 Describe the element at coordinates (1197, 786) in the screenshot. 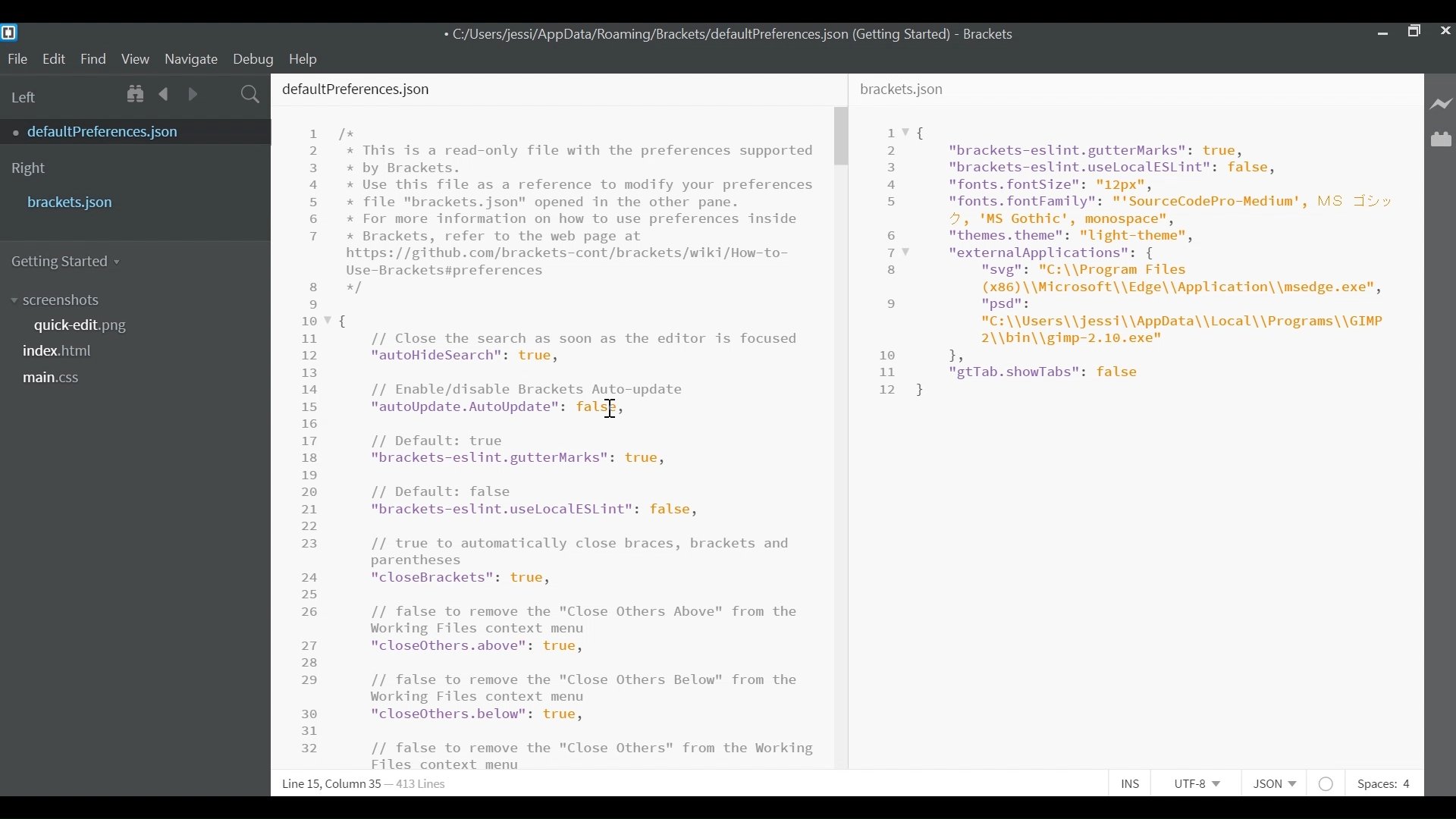

I see `Select File Encoding` at that location.